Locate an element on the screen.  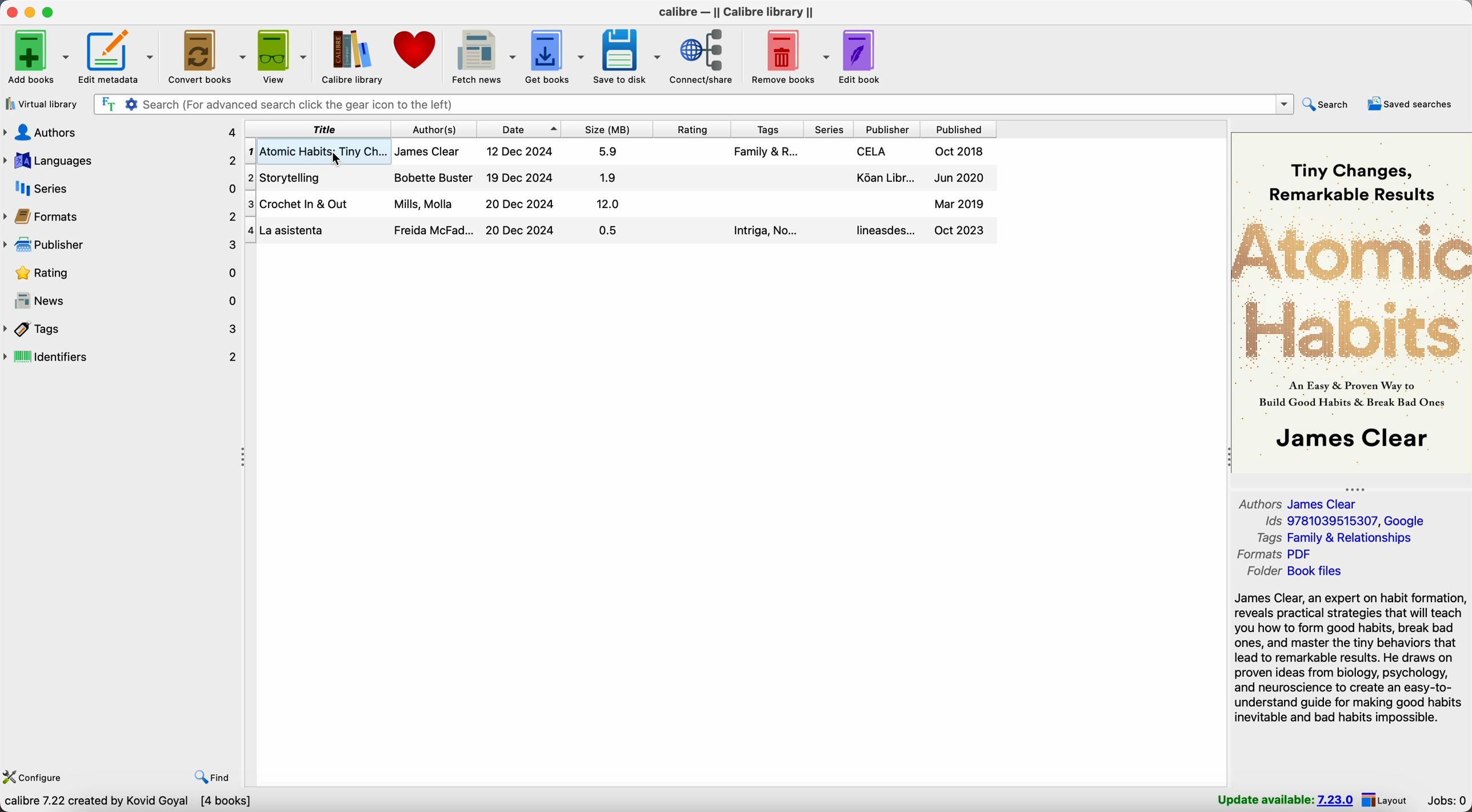
size is located at coordinates (607, 129).